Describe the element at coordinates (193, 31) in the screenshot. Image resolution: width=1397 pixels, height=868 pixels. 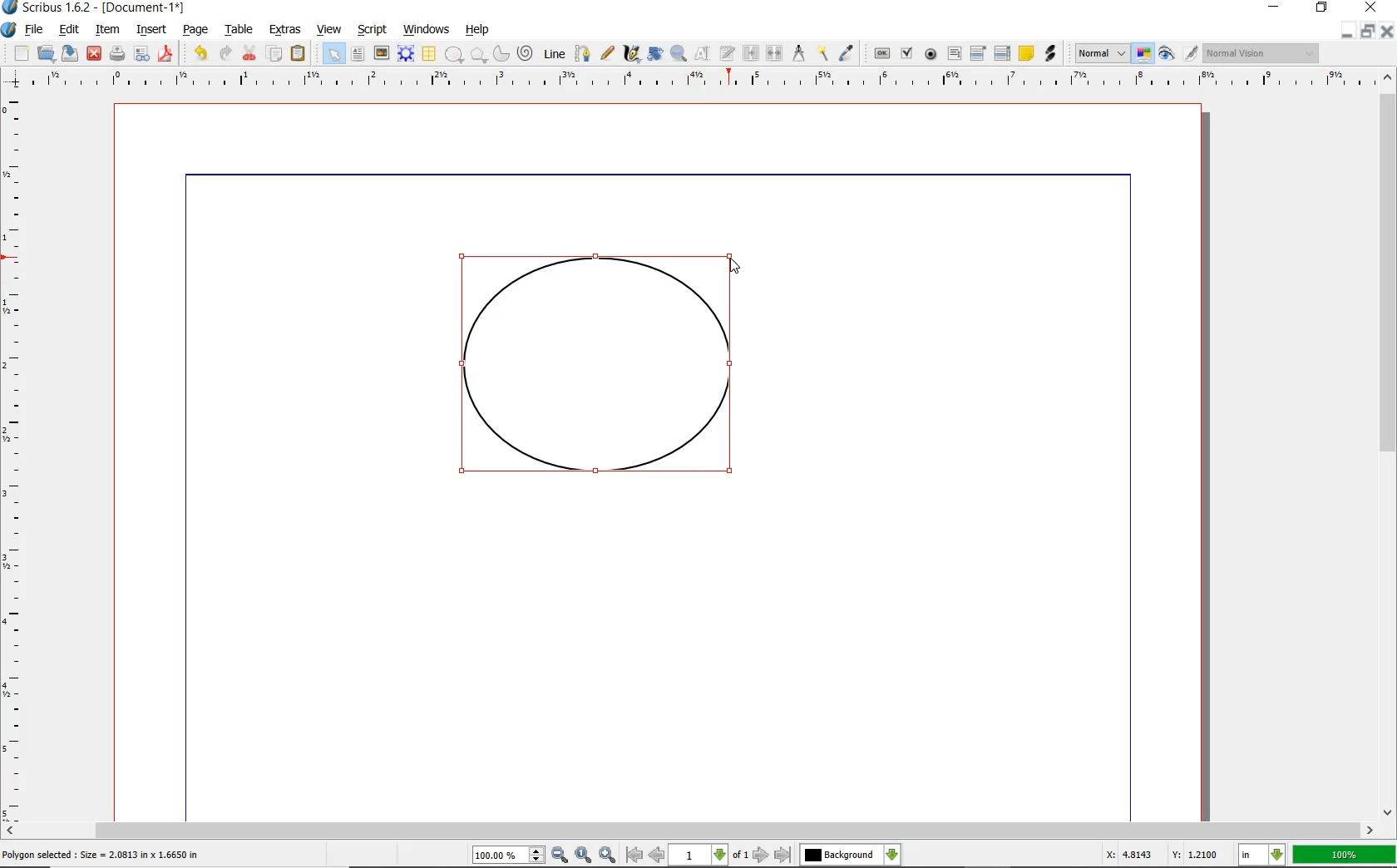
I see `PAGE` at that location.